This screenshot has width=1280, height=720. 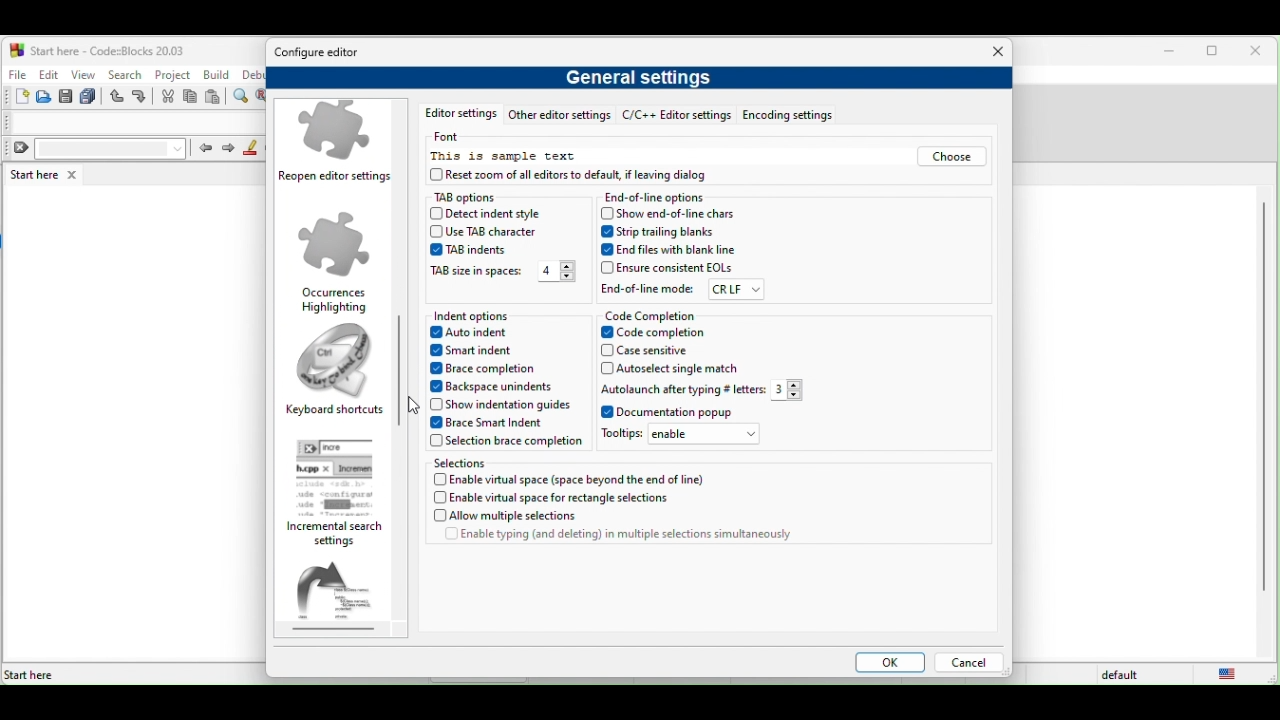 I want to click on crlf, so click(x=736, y=290).